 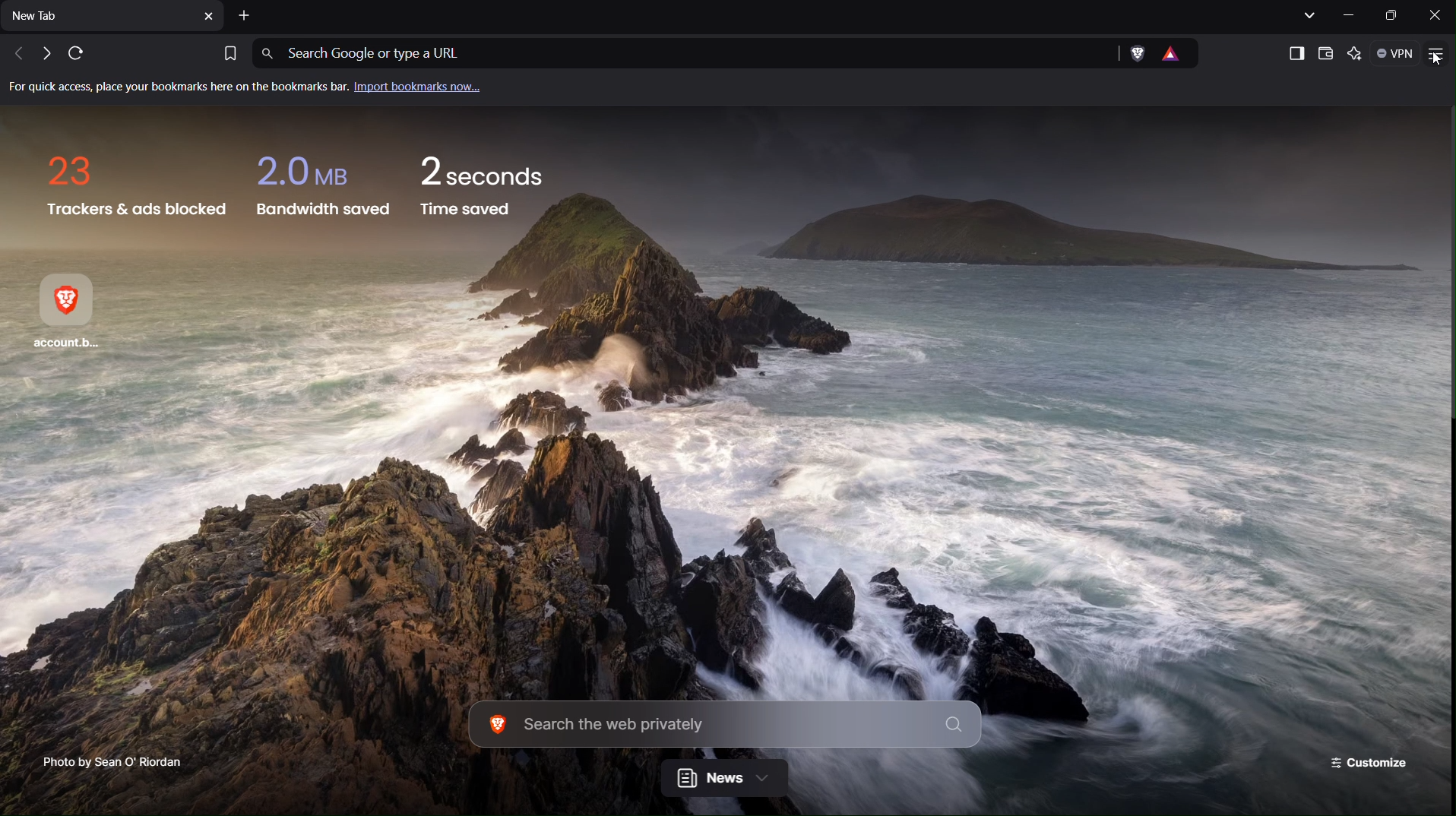 What do you see at coordinates (485, 191) in the screenshot?
I see `Time saved` at bounding box center [485, 191].